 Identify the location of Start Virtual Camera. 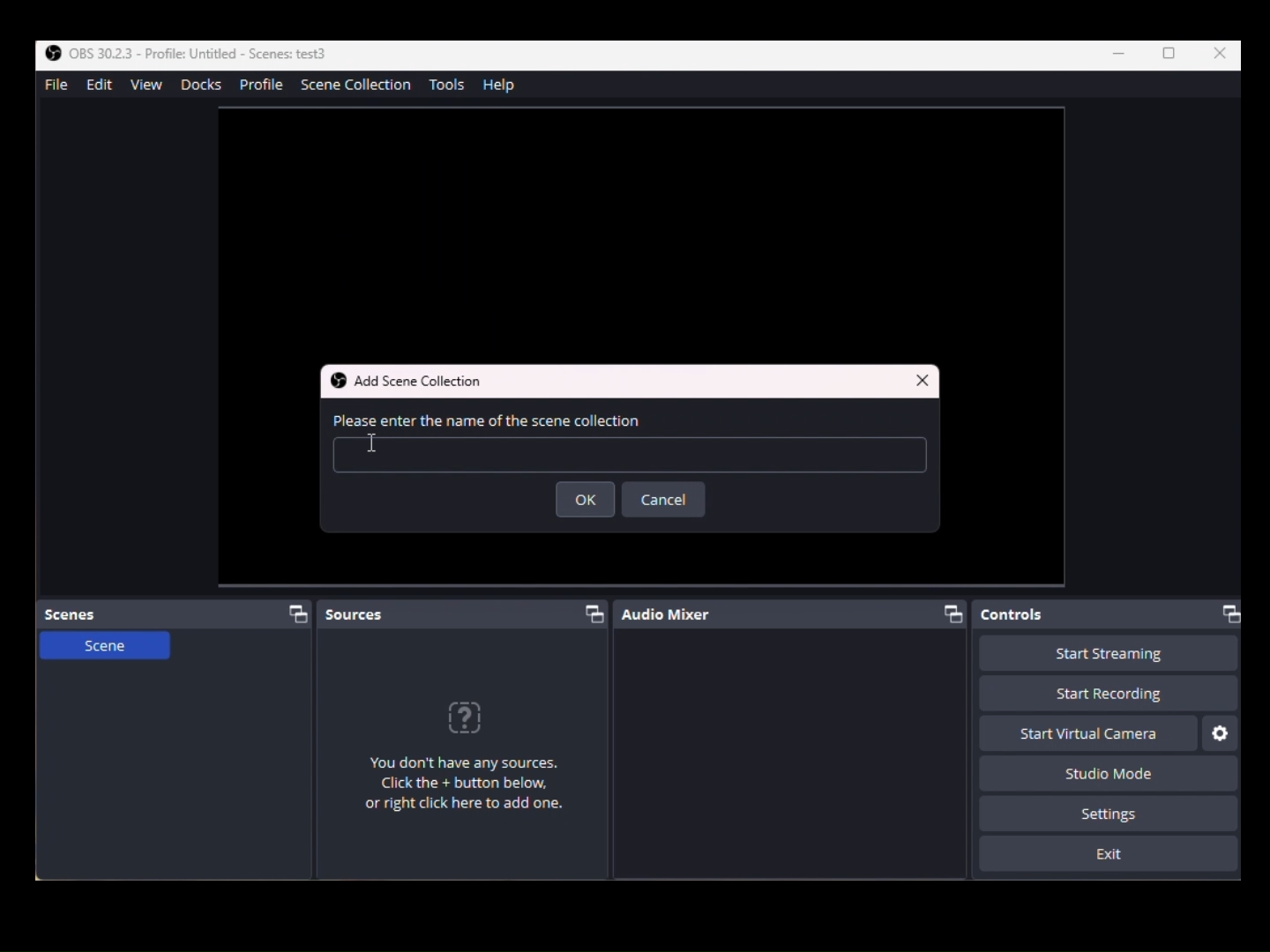
(1088, 733).